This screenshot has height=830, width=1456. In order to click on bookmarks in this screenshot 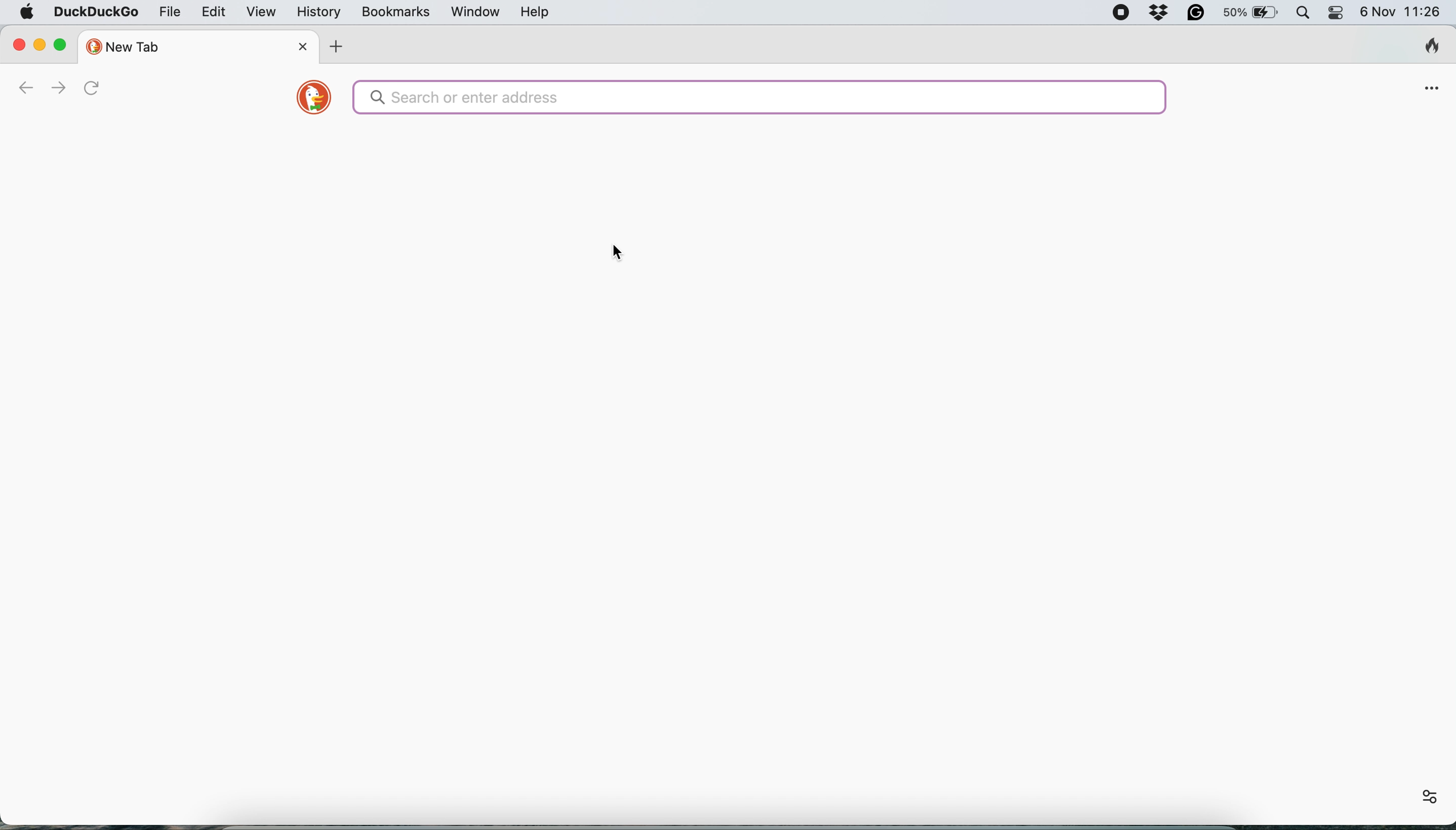, I will do `click(394, 11)`.